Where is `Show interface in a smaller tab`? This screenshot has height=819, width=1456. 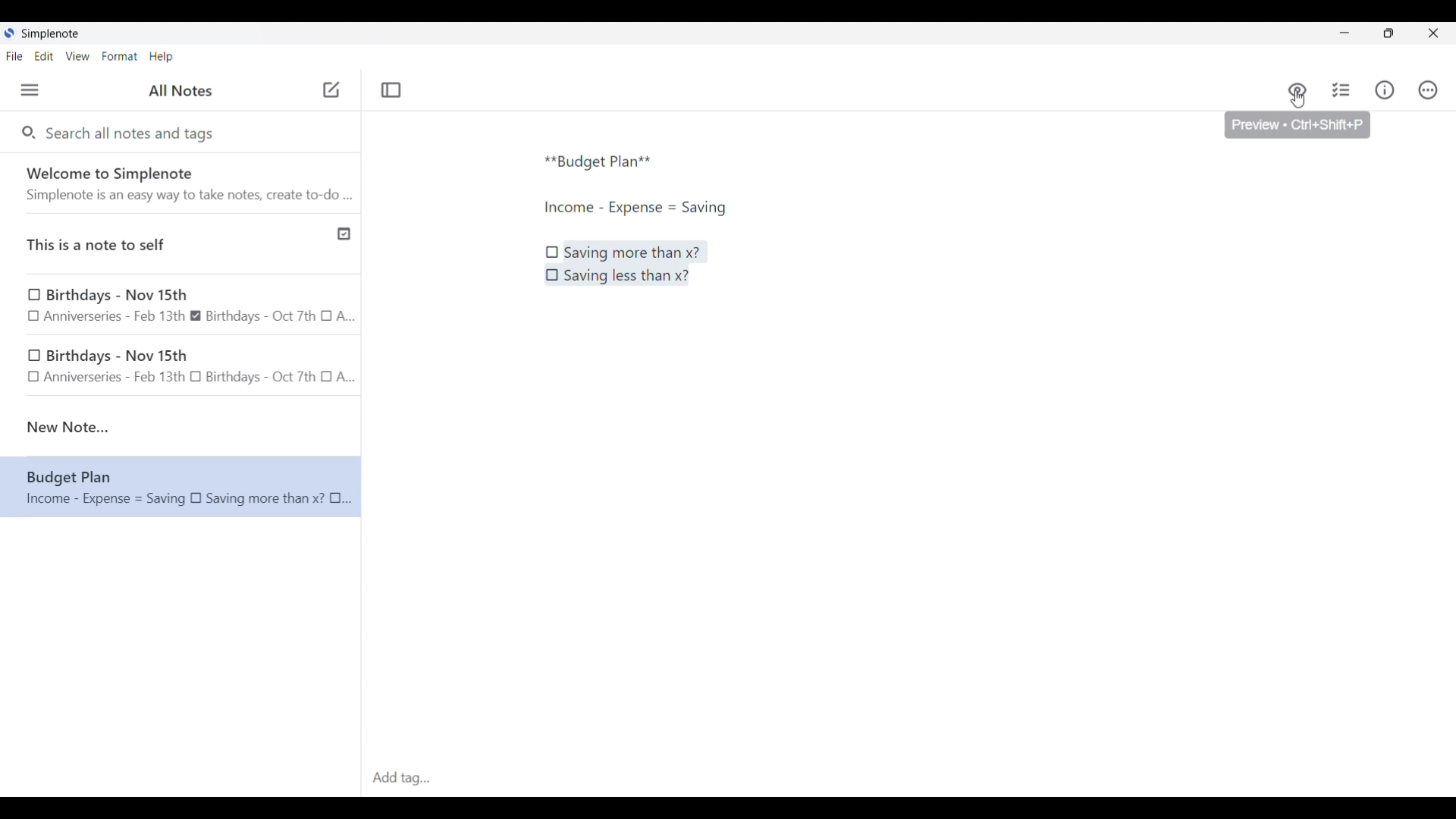 Show interface in a smaller tab is located at coordinates (1389, 33).